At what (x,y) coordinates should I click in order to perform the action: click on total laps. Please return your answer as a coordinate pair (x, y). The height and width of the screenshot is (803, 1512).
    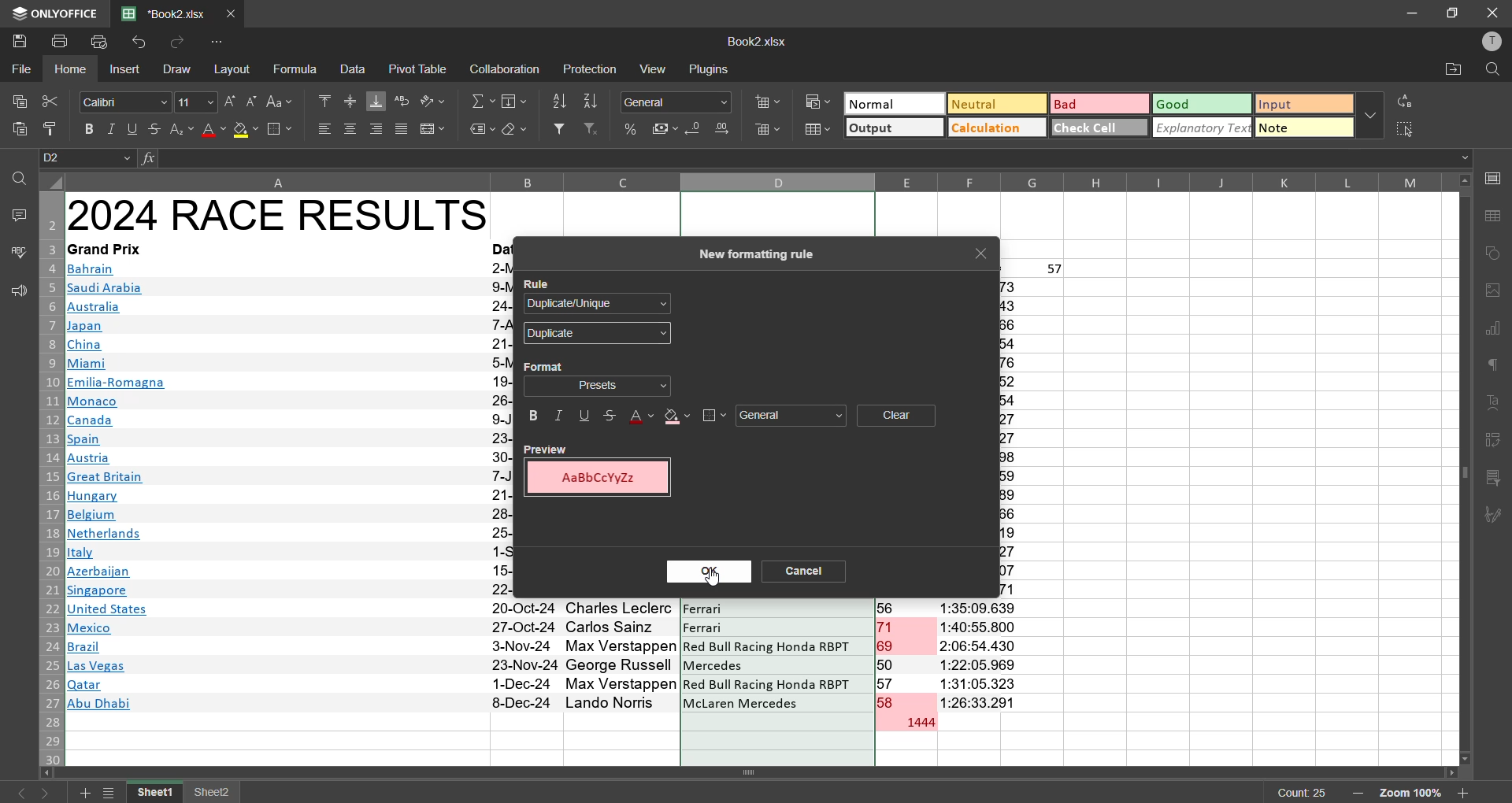
    Looking at the image, I should click on (918, 723).